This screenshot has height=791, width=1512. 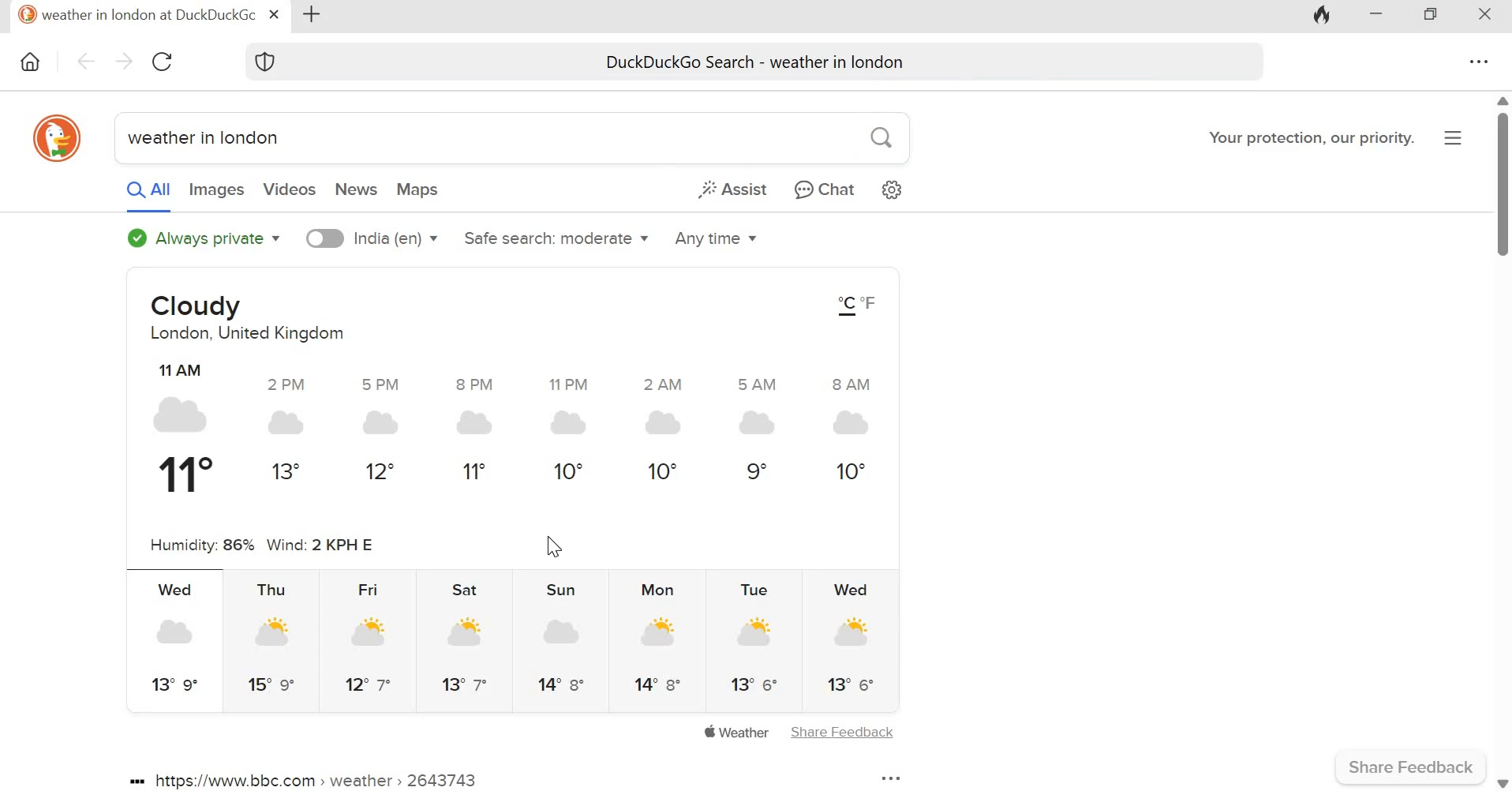 I want to click on 13° 6°, so click(x=755, y=684).